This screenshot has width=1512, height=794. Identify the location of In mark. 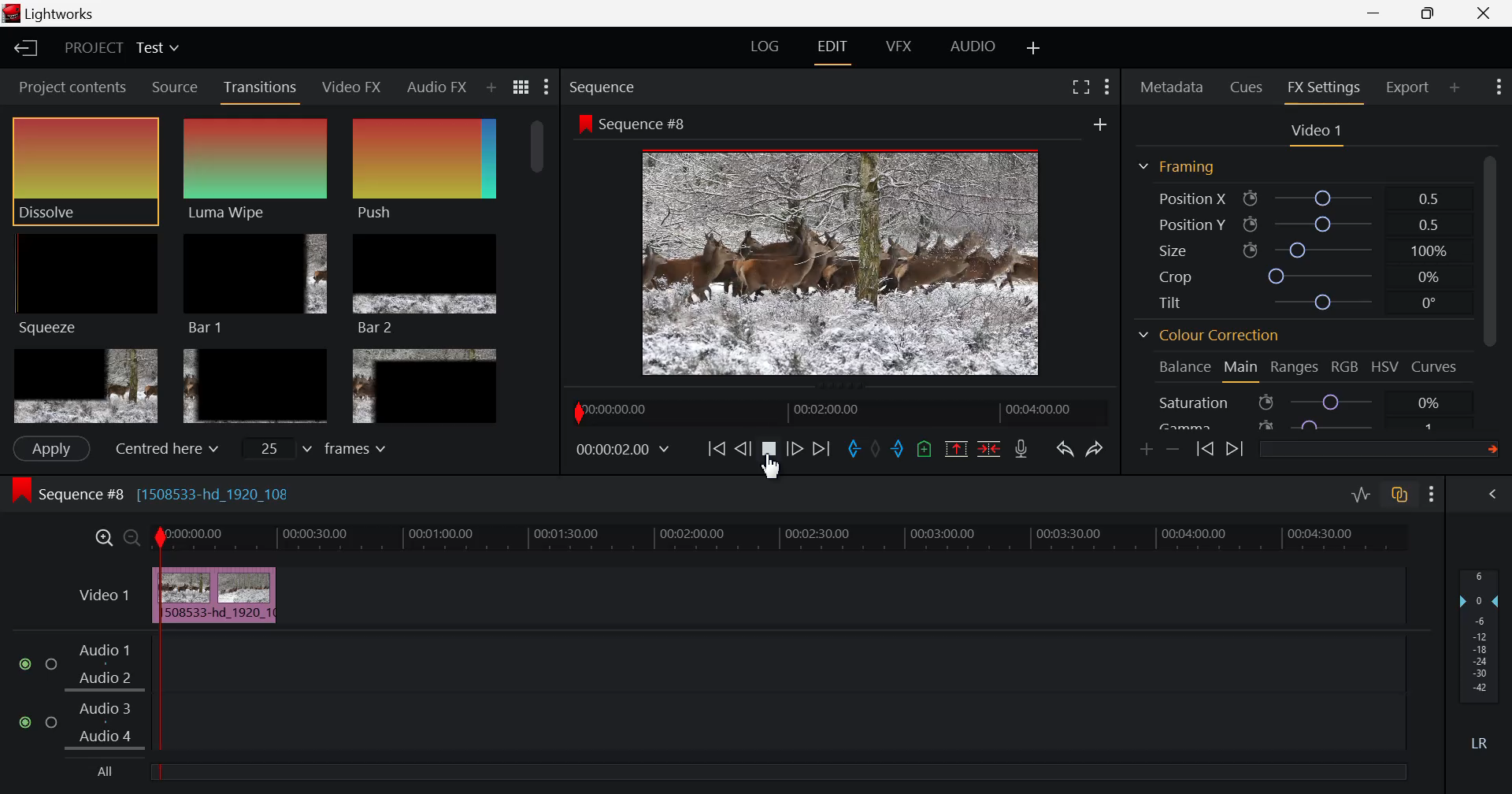
(851, 450).